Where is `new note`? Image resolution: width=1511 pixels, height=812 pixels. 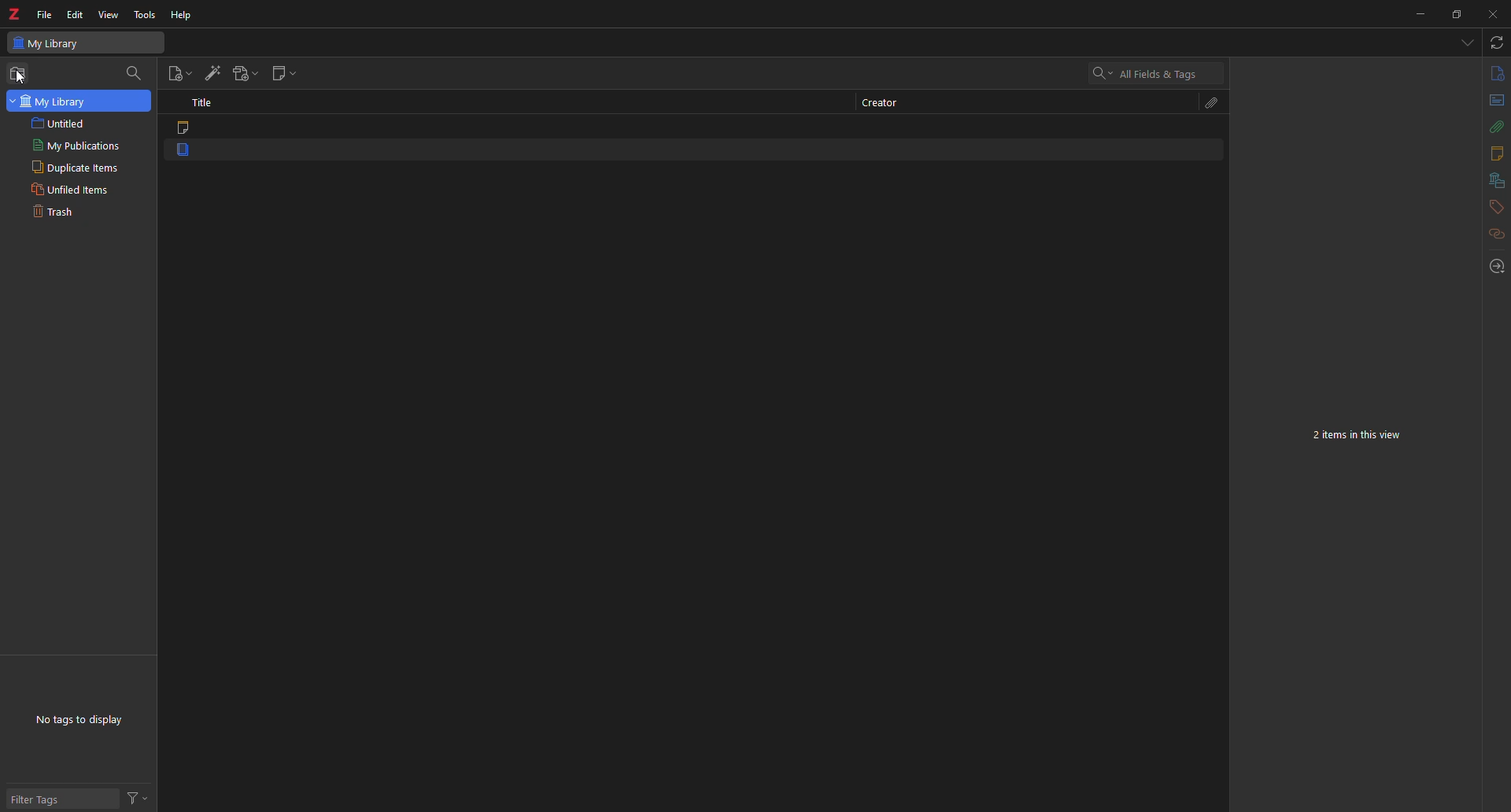
new note is located at coordinates (285, 73).